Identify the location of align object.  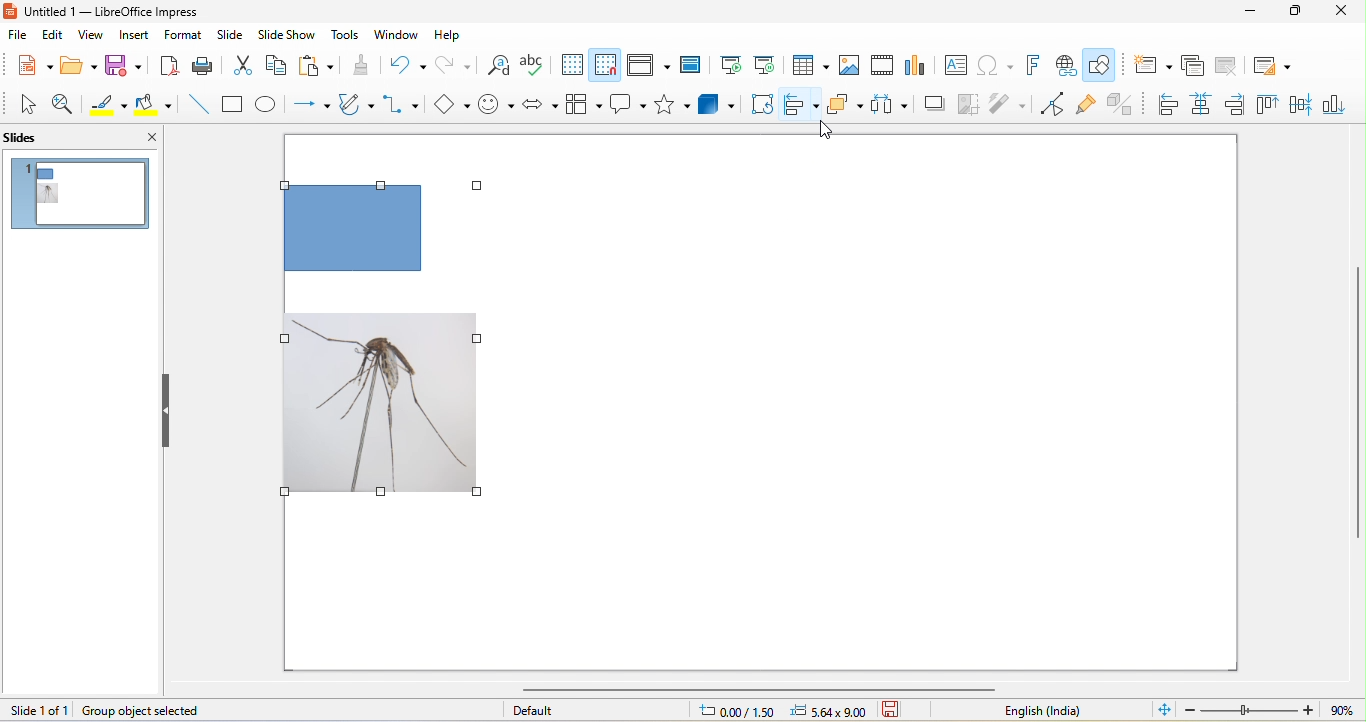
(801, 106).